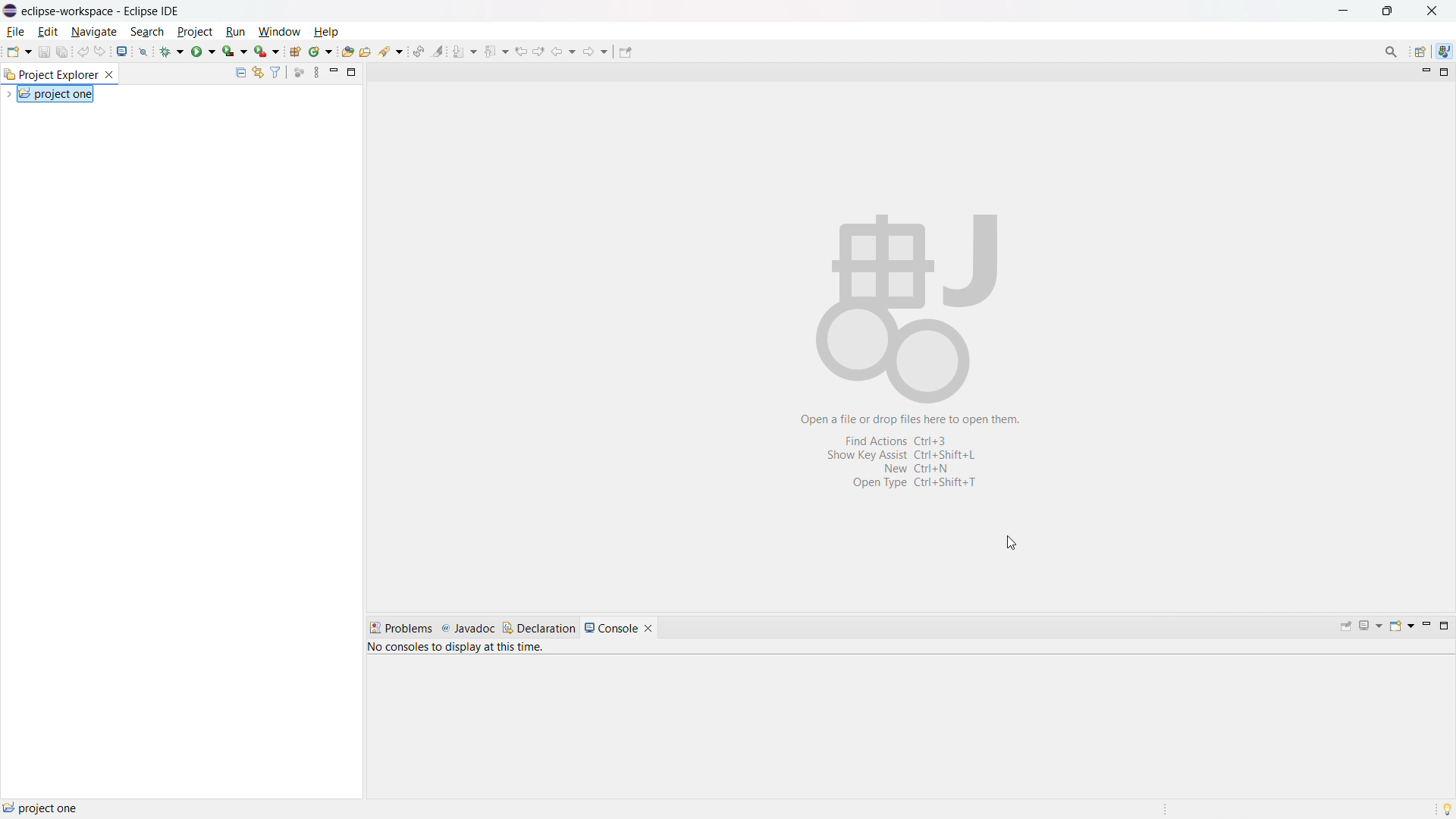 The width and height of the screenshot is (1456, 819). What do you see at coordinates (1444, 626) in the screenshot?
I see `maximize` at bounding box center [1444, 626].